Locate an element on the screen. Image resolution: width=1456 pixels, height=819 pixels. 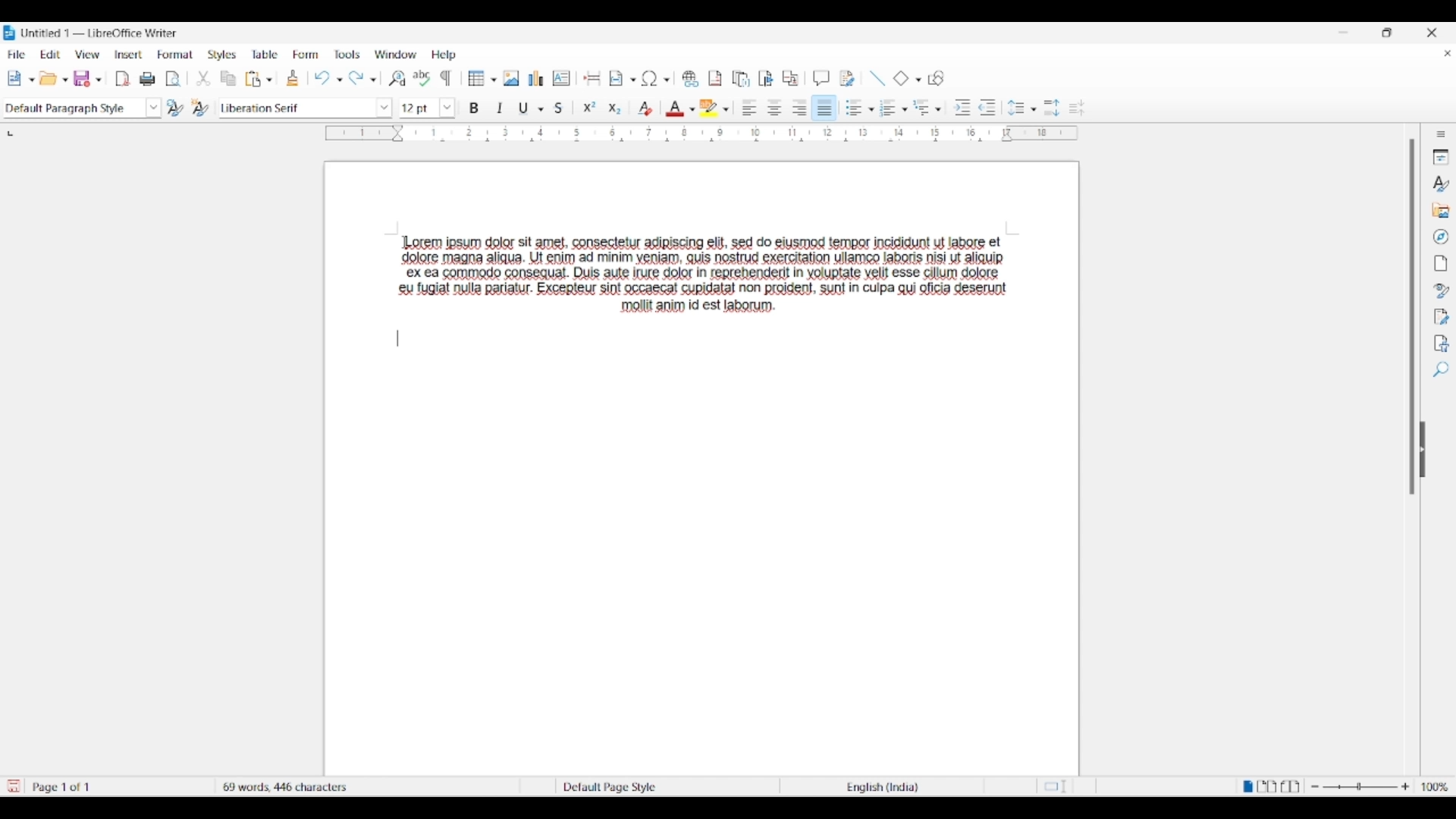
Italic is located at coordinates (500, 108).